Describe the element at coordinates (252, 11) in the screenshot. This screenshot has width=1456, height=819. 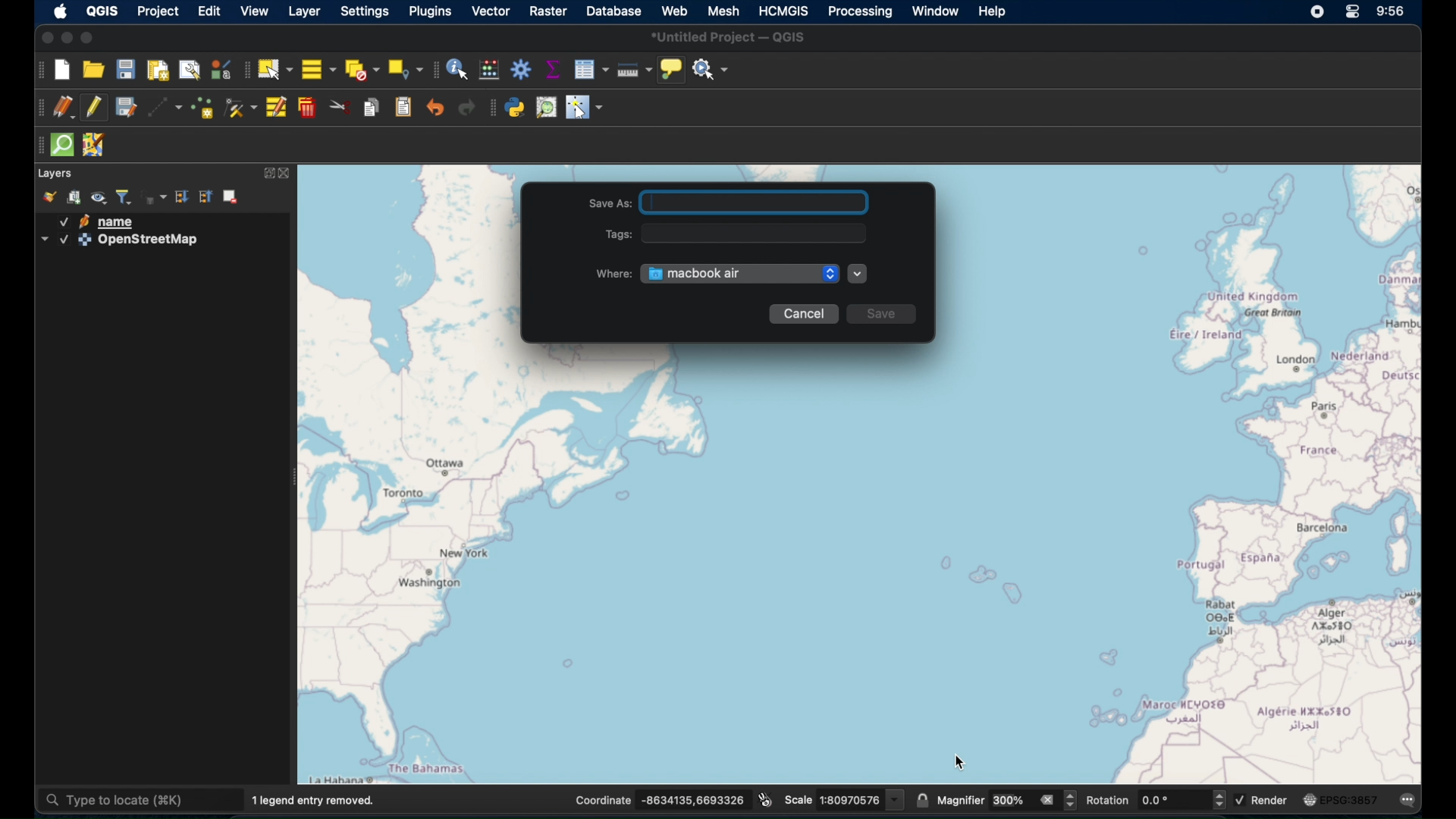
I see `view` at that location.